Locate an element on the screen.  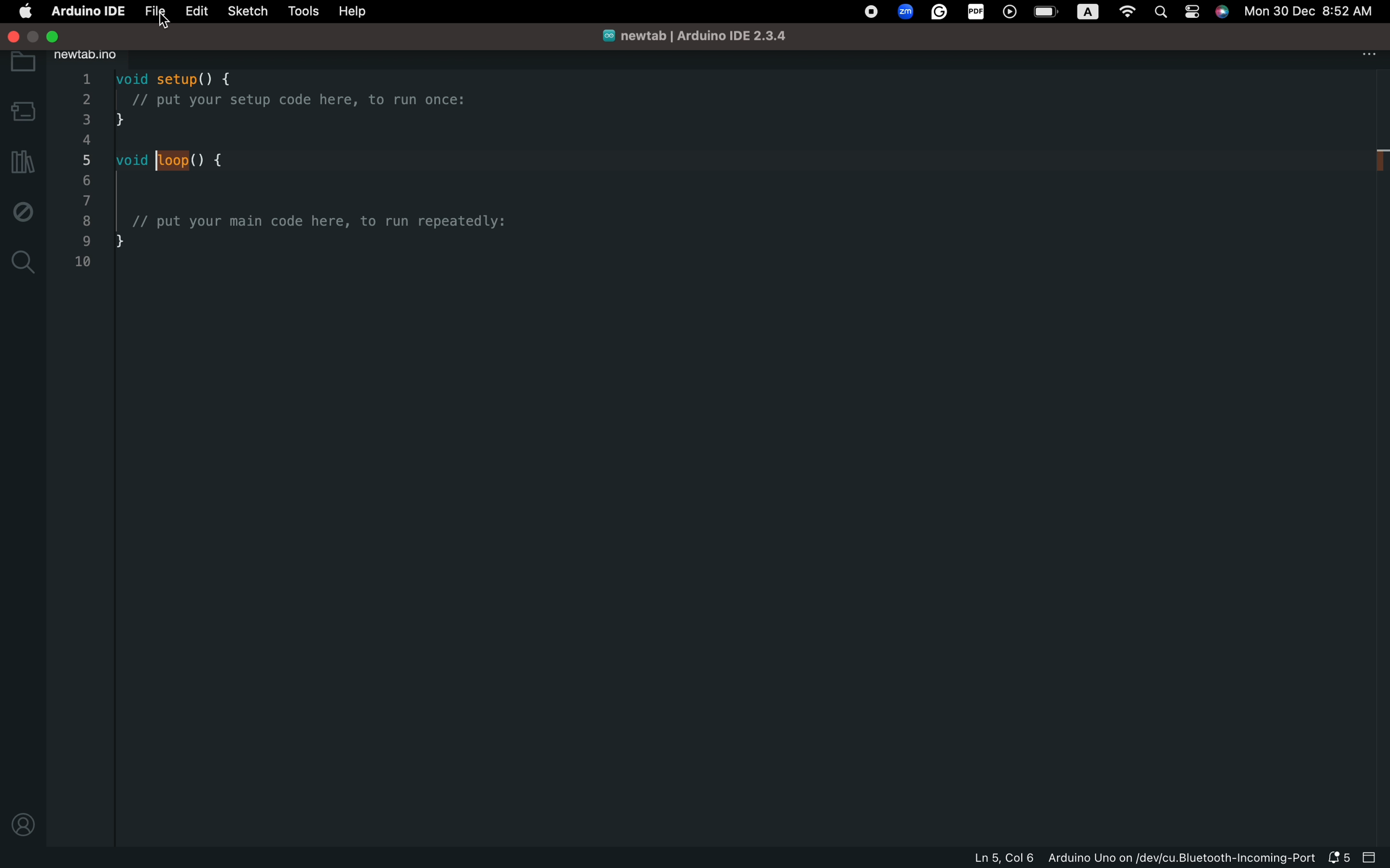
grammarly is located at coordinates (940, 11).